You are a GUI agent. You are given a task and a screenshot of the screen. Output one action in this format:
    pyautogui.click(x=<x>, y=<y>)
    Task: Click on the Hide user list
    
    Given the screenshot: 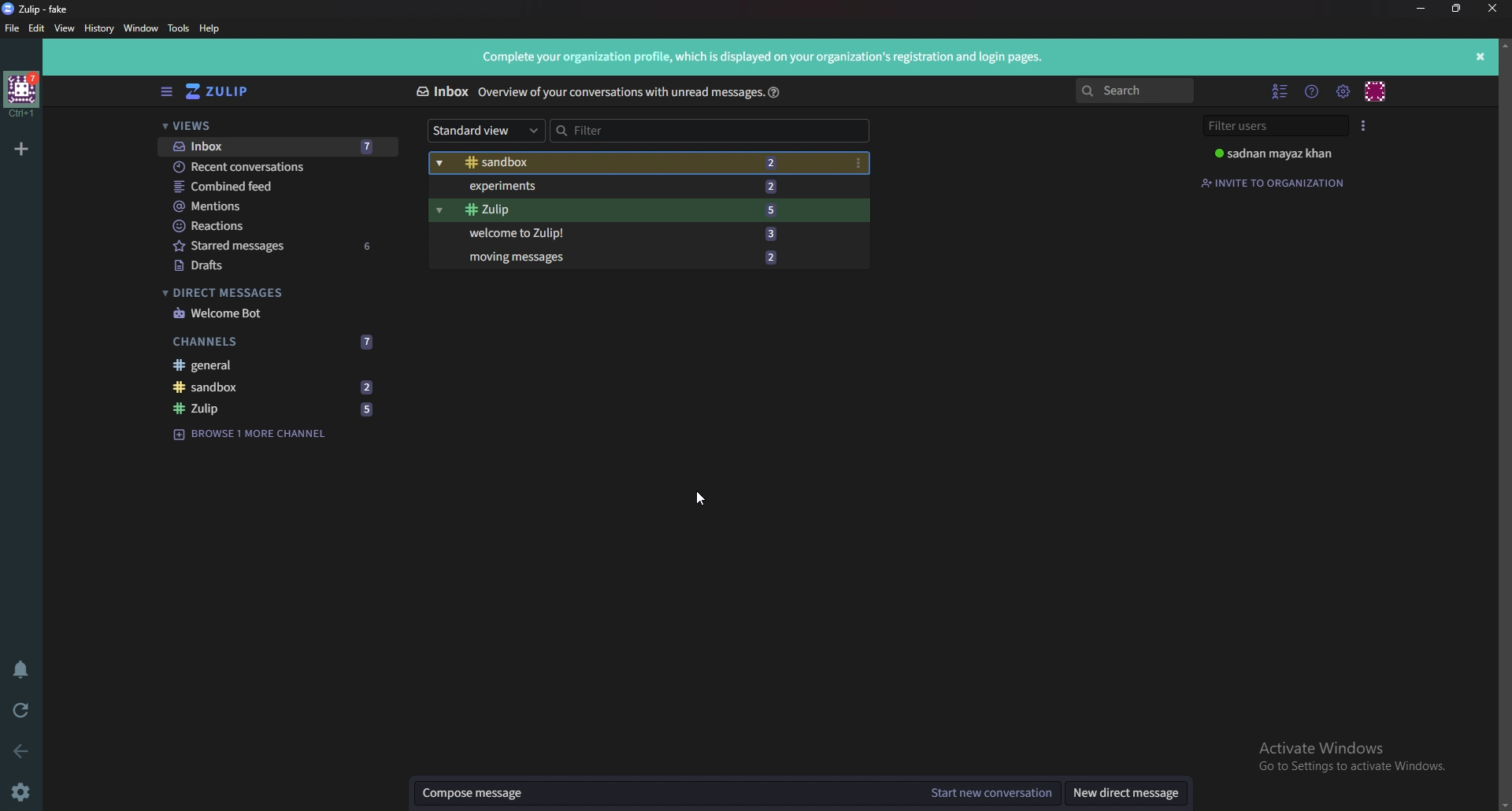 What is the action you would take?
    pyautogui.click(x=1280, y=91)
    